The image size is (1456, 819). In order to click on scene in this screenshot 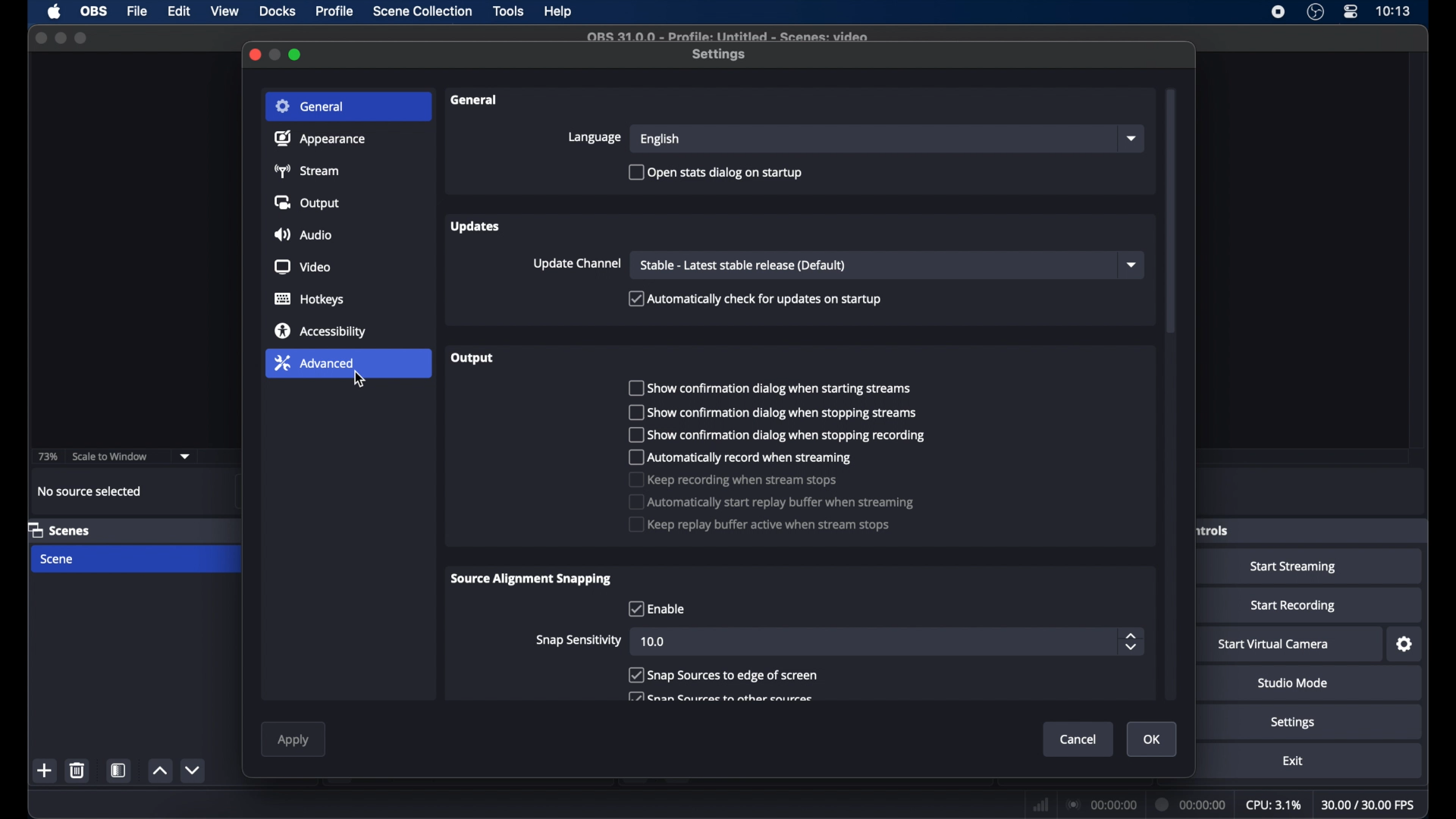, I will do `click(58, 560)`.